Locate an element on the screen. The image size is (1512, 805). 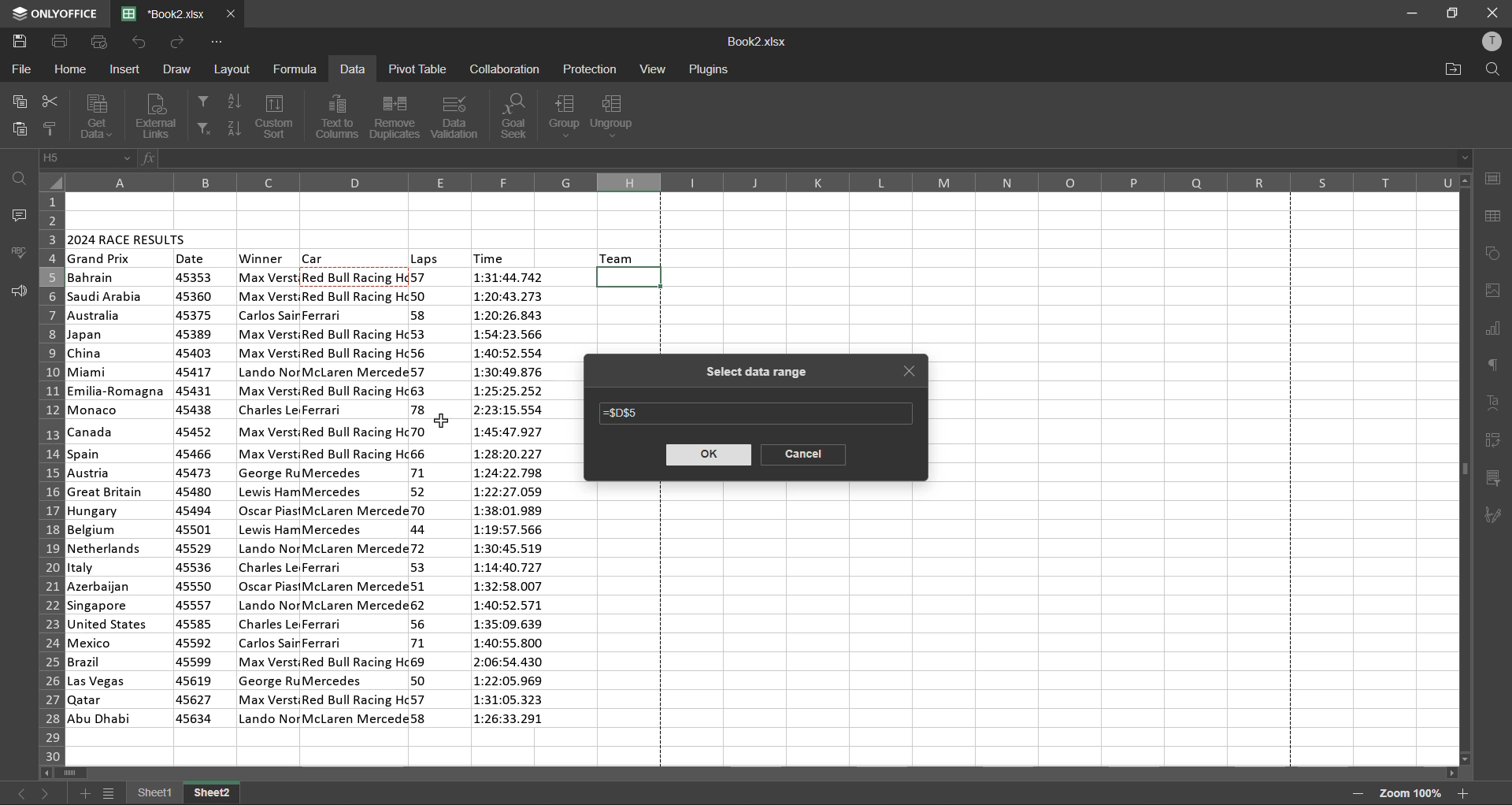
cut is located at coordinates (47, 104).